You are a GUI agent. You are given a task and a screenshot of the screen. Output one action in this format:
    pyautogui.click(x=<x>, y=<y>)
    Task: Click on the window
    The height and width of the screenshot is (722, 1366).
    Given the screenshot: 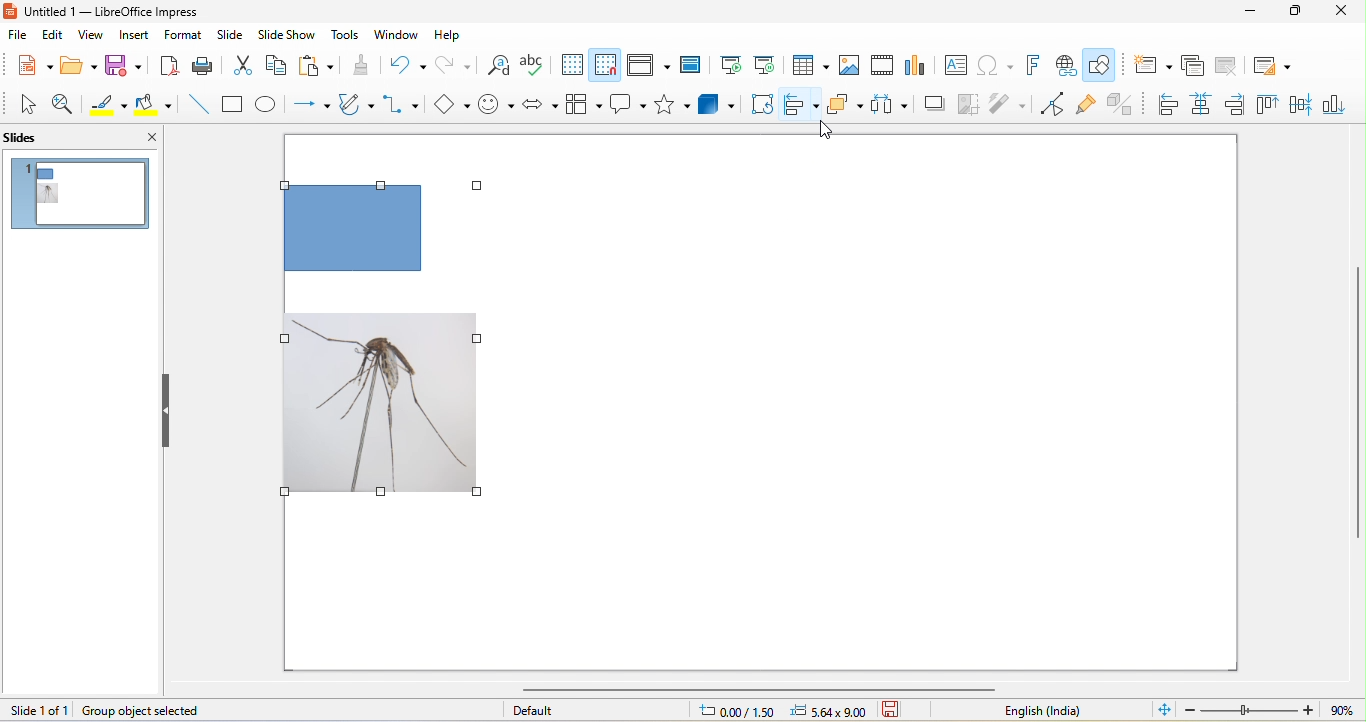 What is the action you would take?
    pyautogui.click(x=399, y=39)
    